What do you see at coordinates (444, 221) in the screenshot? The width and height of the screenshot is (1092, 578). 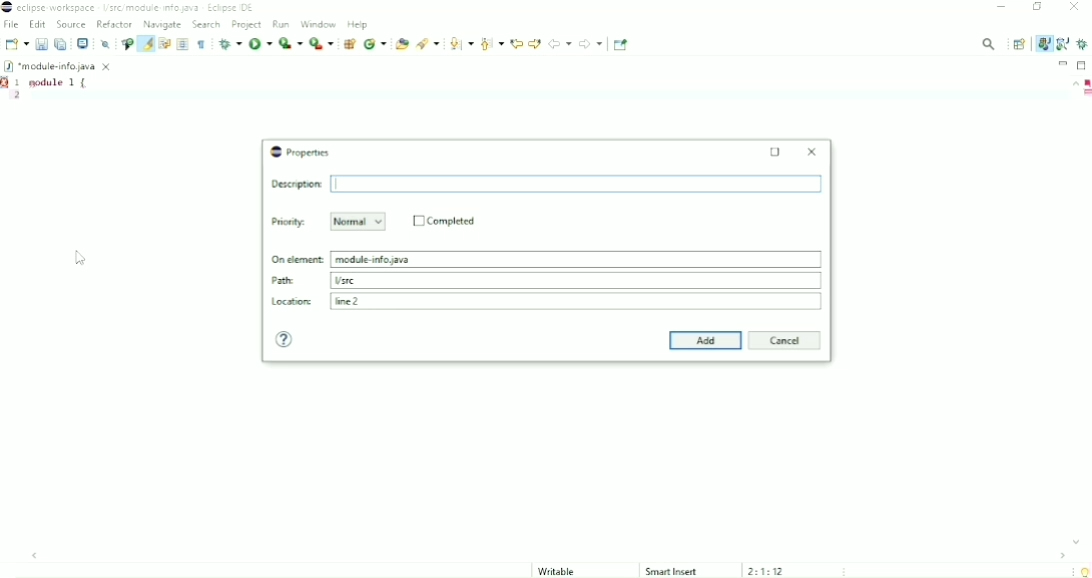 I see `Completed` at bounding box center [444, 221].